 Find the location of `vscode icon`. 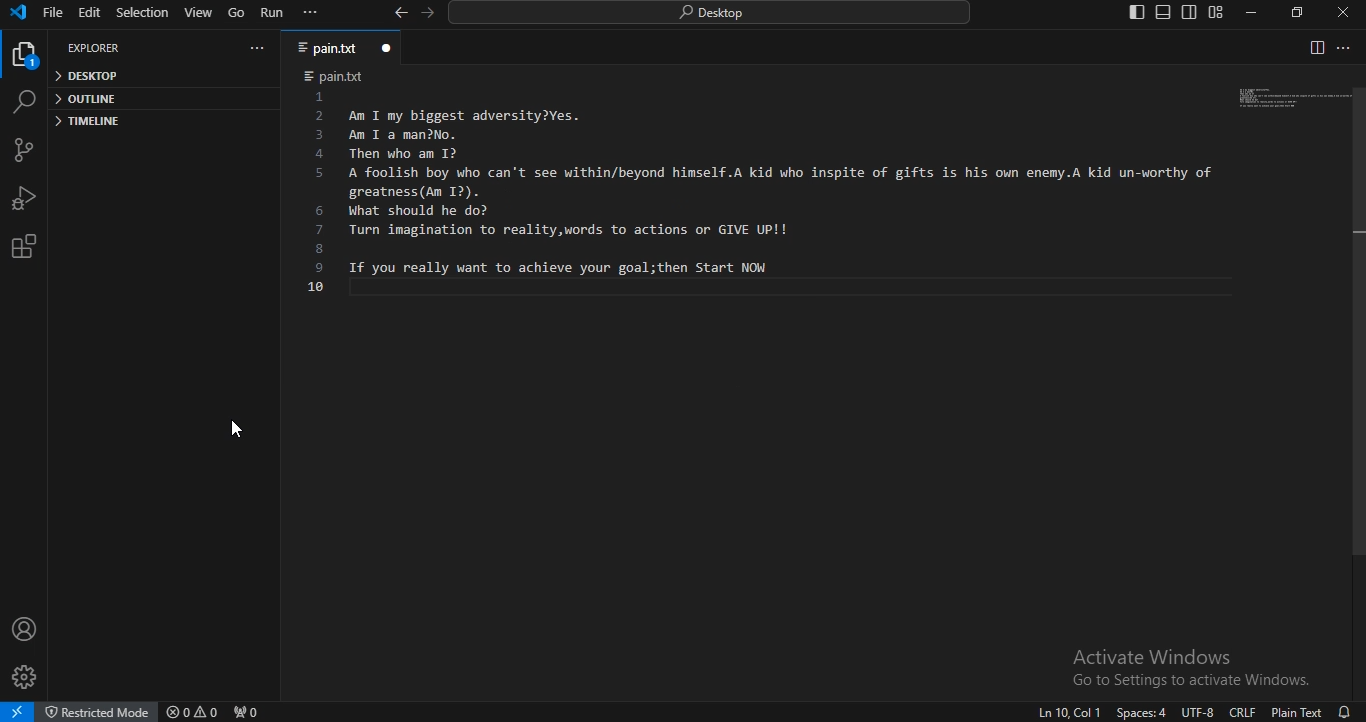

vscode icon is located at coordinates (18, 14).